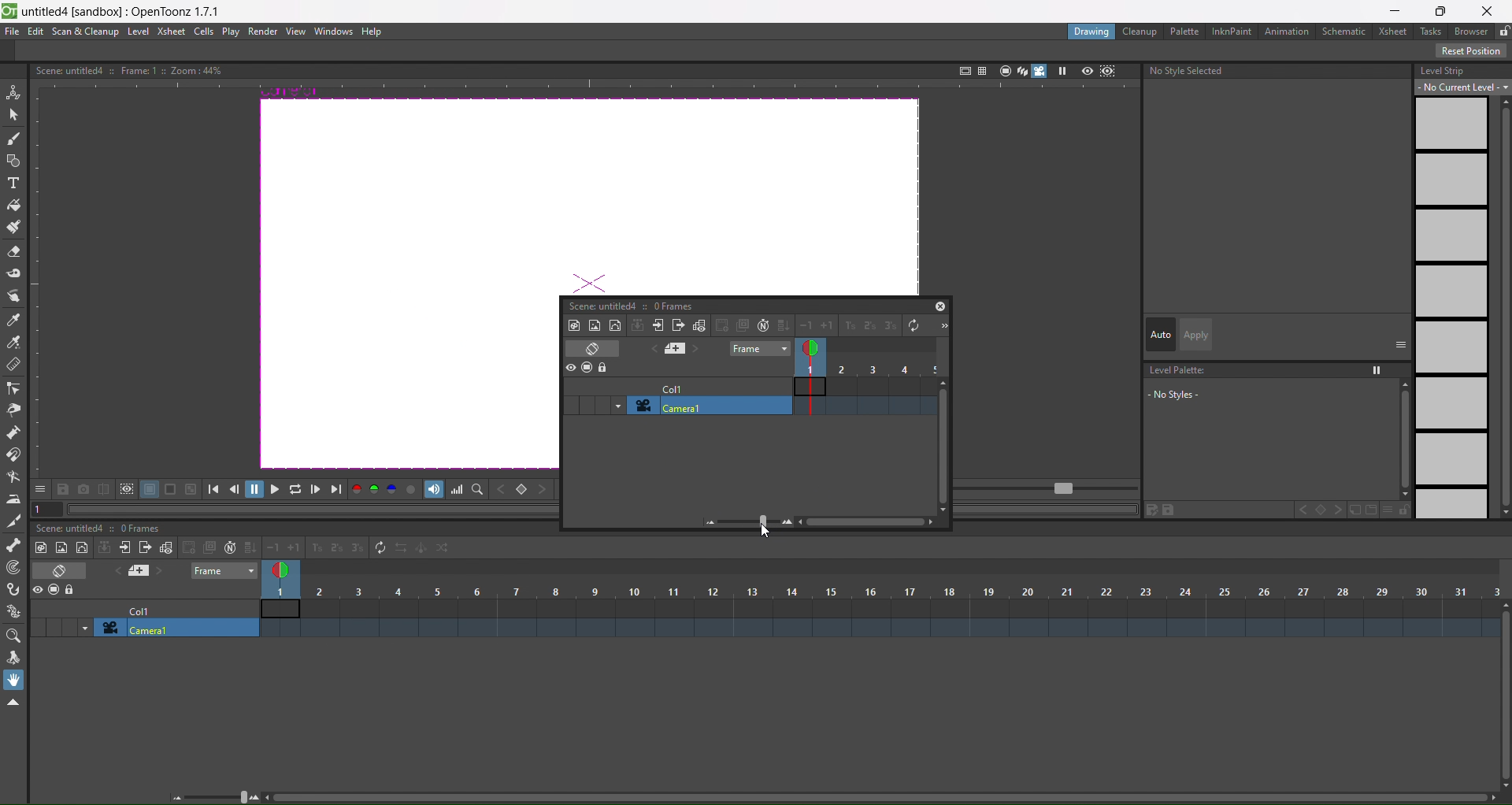 The width and height of the screenshot is (1512, 805). Describe the element at coordinates (868, 369) in the screenshot. I see `column` at that location.